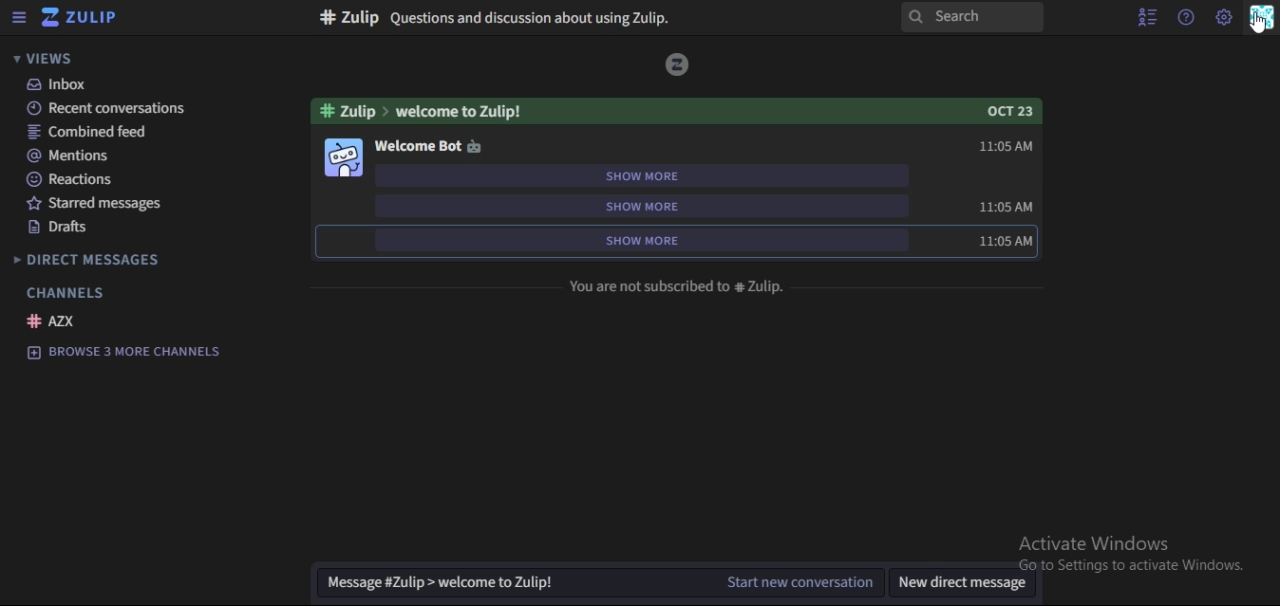 The height and width of the screenshot is (606, 1280). Describe the element at coordinates (102, 258) in the screenshot. I see `direct messages` at that location.